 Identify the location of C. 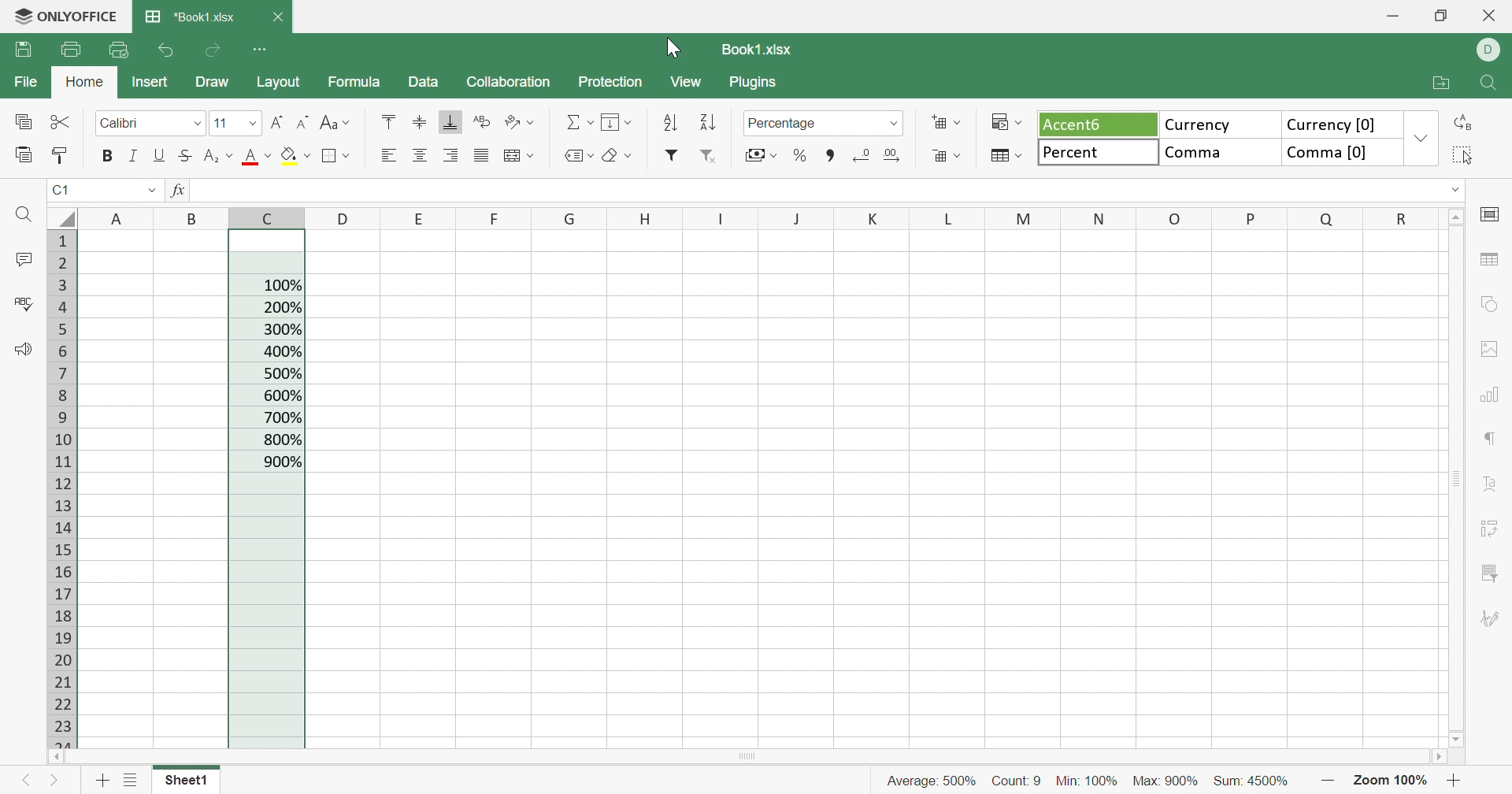
(266, 216).